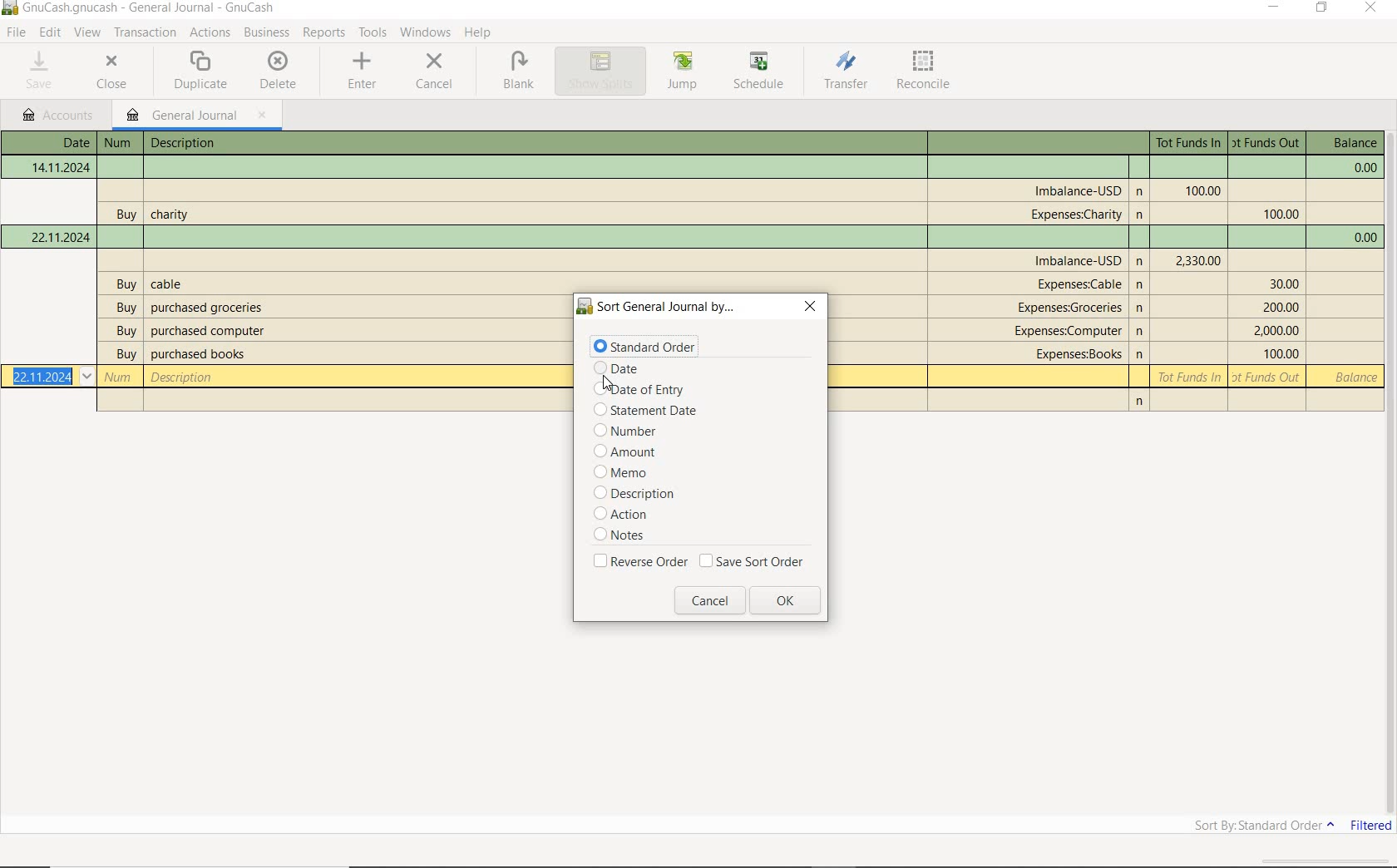  What do you see at coordinates (113, 72) in the screenshot?
I see `CLOSE` at bounding box center [113, 72].